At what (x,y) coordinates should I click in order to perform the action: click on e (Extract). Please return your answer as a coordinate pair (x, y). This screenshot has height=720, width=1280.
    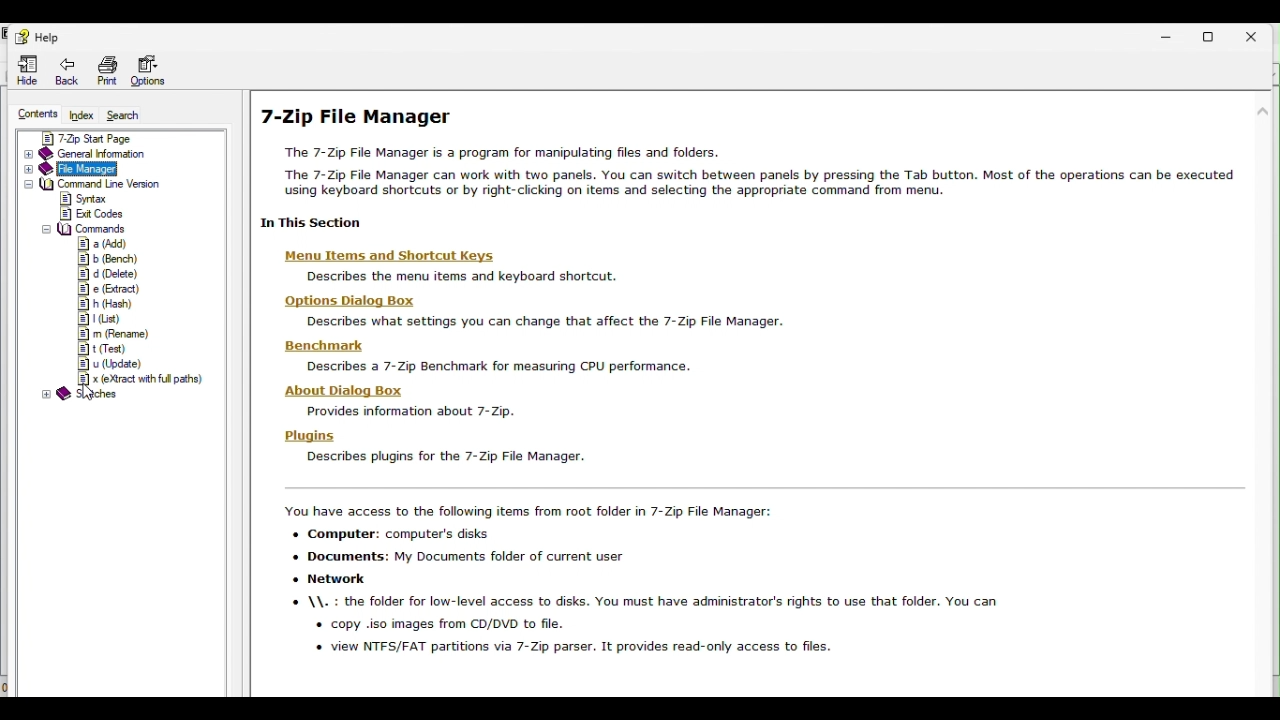
    Looking at the image, I should click on (112, 288).